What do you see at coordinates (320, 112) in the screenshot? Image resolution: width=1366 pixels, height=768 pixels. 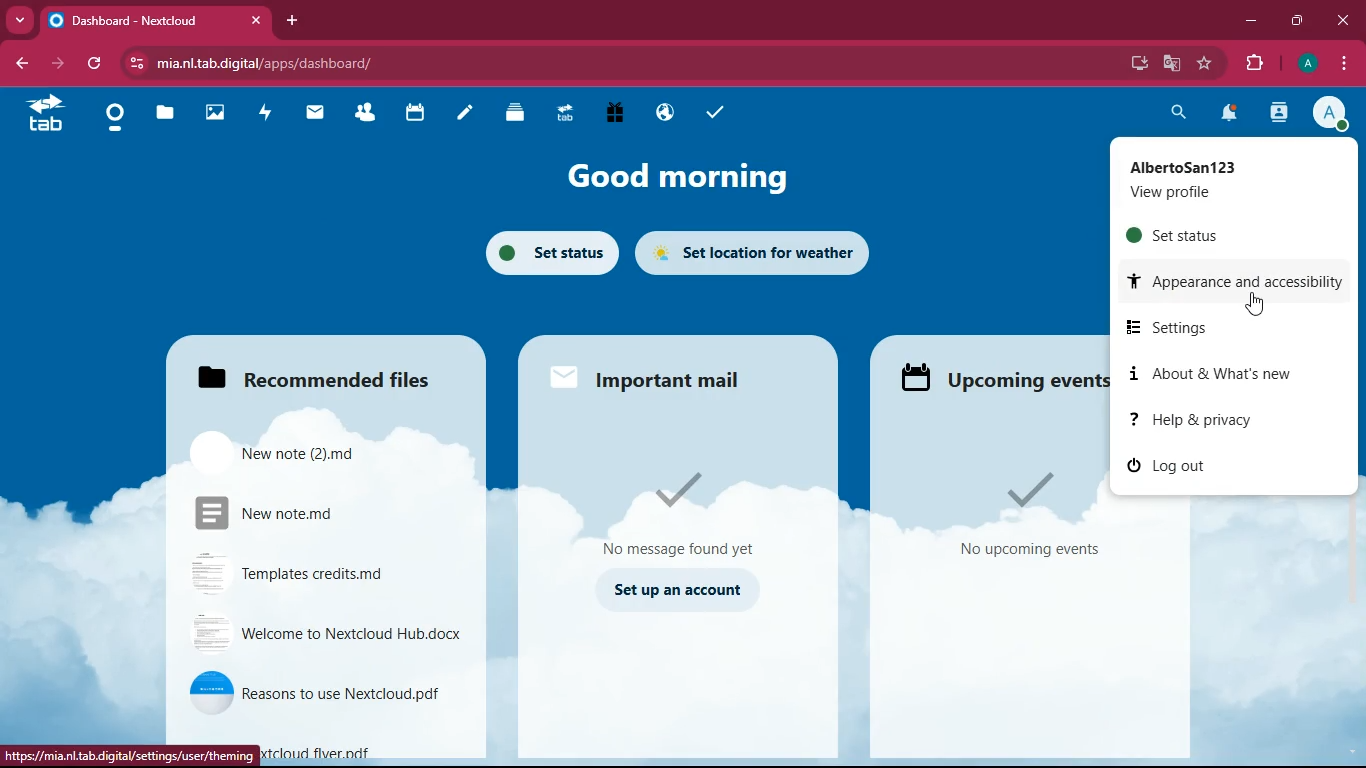 I see `mail` at bounding box center [320, 112].